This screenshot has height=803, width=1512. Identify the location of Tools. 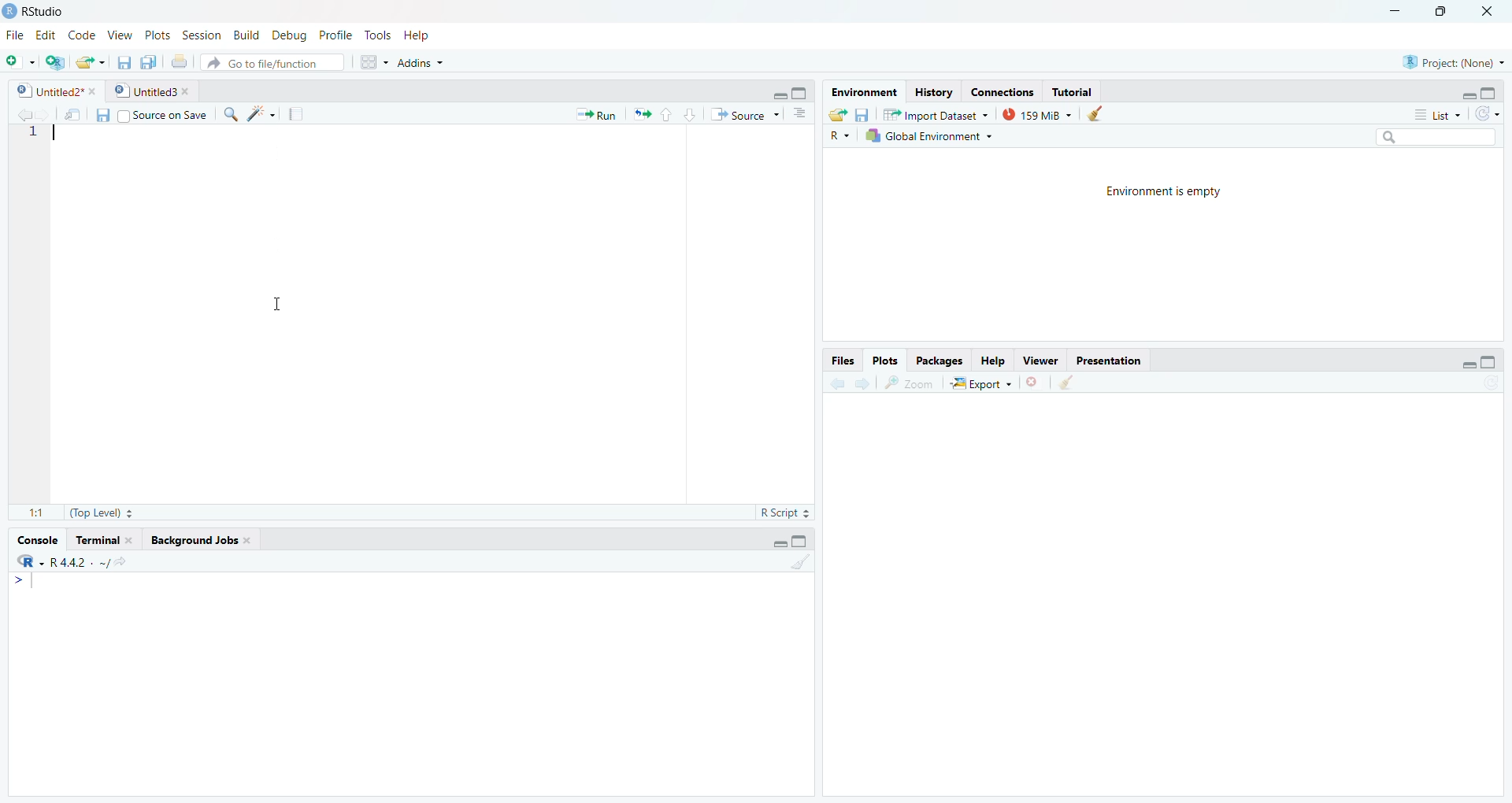
(376, 36).